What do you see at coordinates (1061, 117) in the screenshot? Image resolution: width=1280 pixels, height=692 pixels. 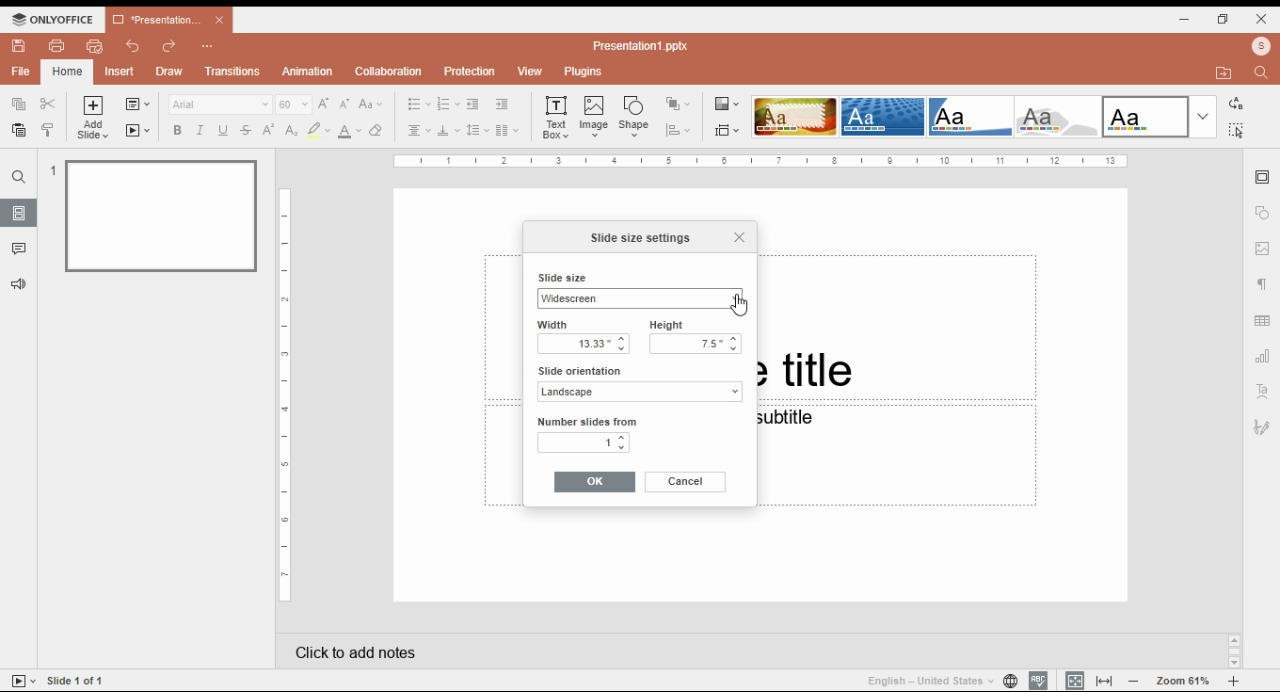 I see `slide them option` at bounding box center [1061, 117].